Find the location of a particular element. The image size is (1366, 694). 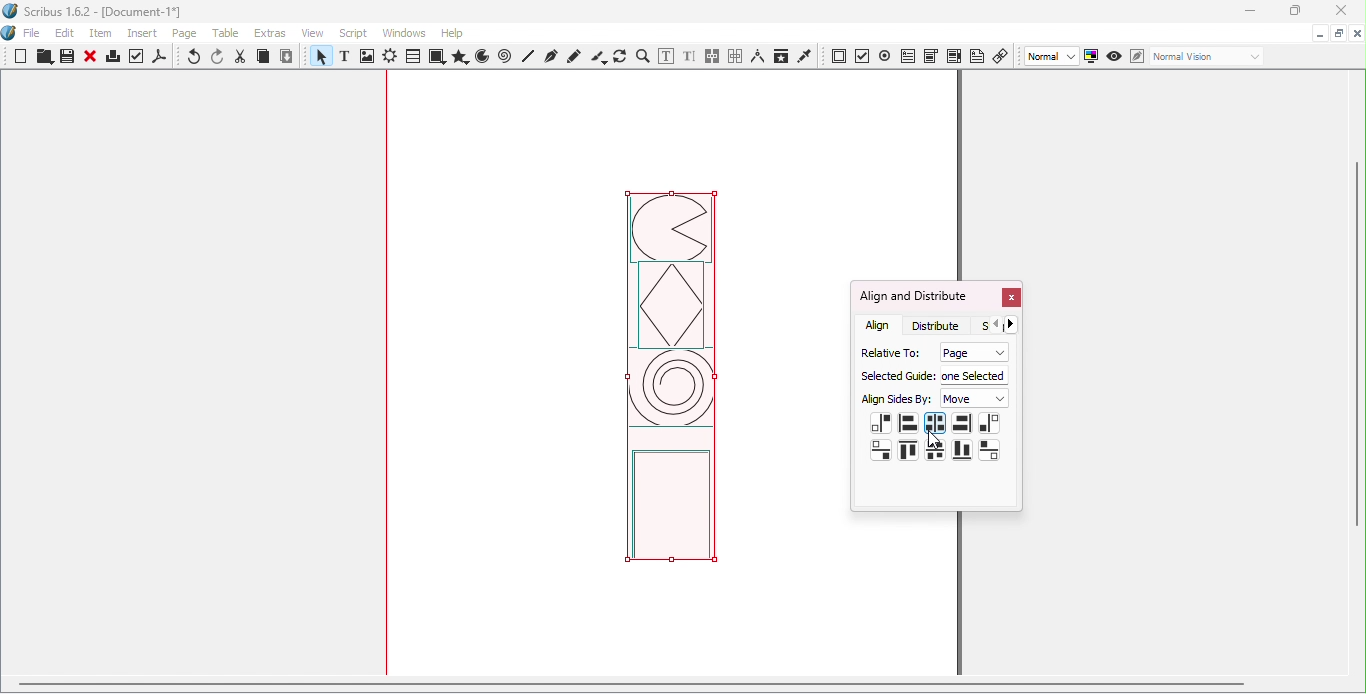

Unlink text frames is located at coordinates (735, 56).